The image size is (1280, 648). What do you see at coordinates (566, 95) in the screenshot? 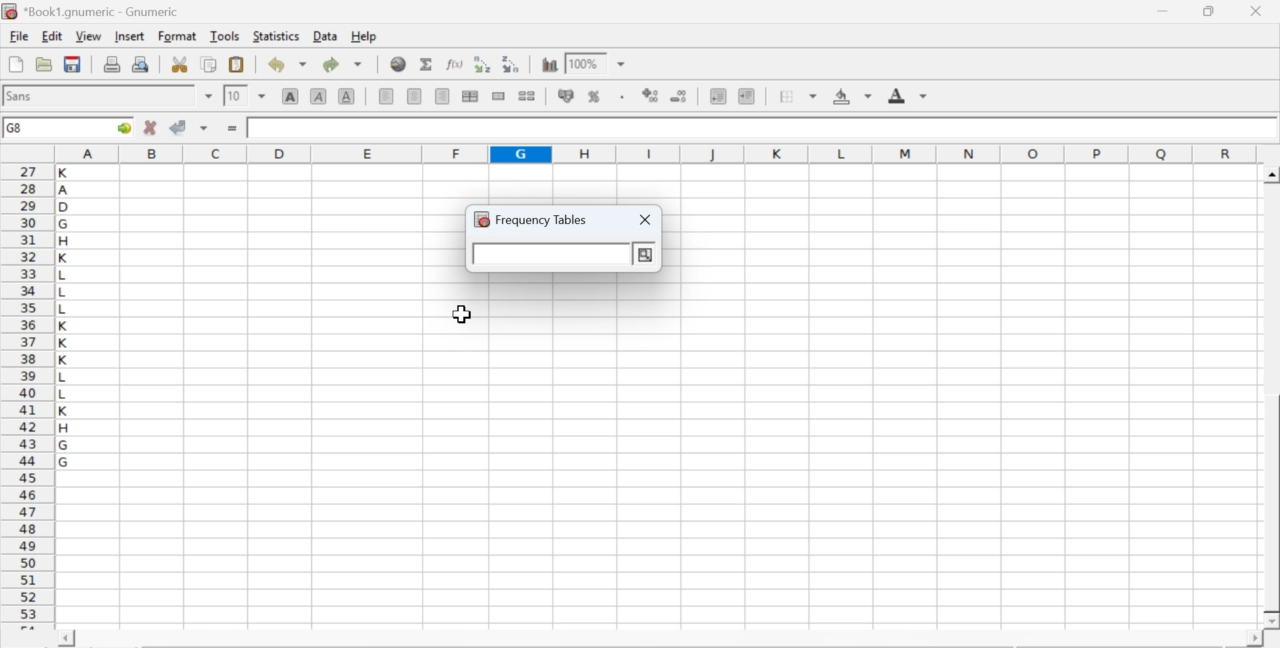
I see `format selection as accounting` at bounding box center [566, 95].